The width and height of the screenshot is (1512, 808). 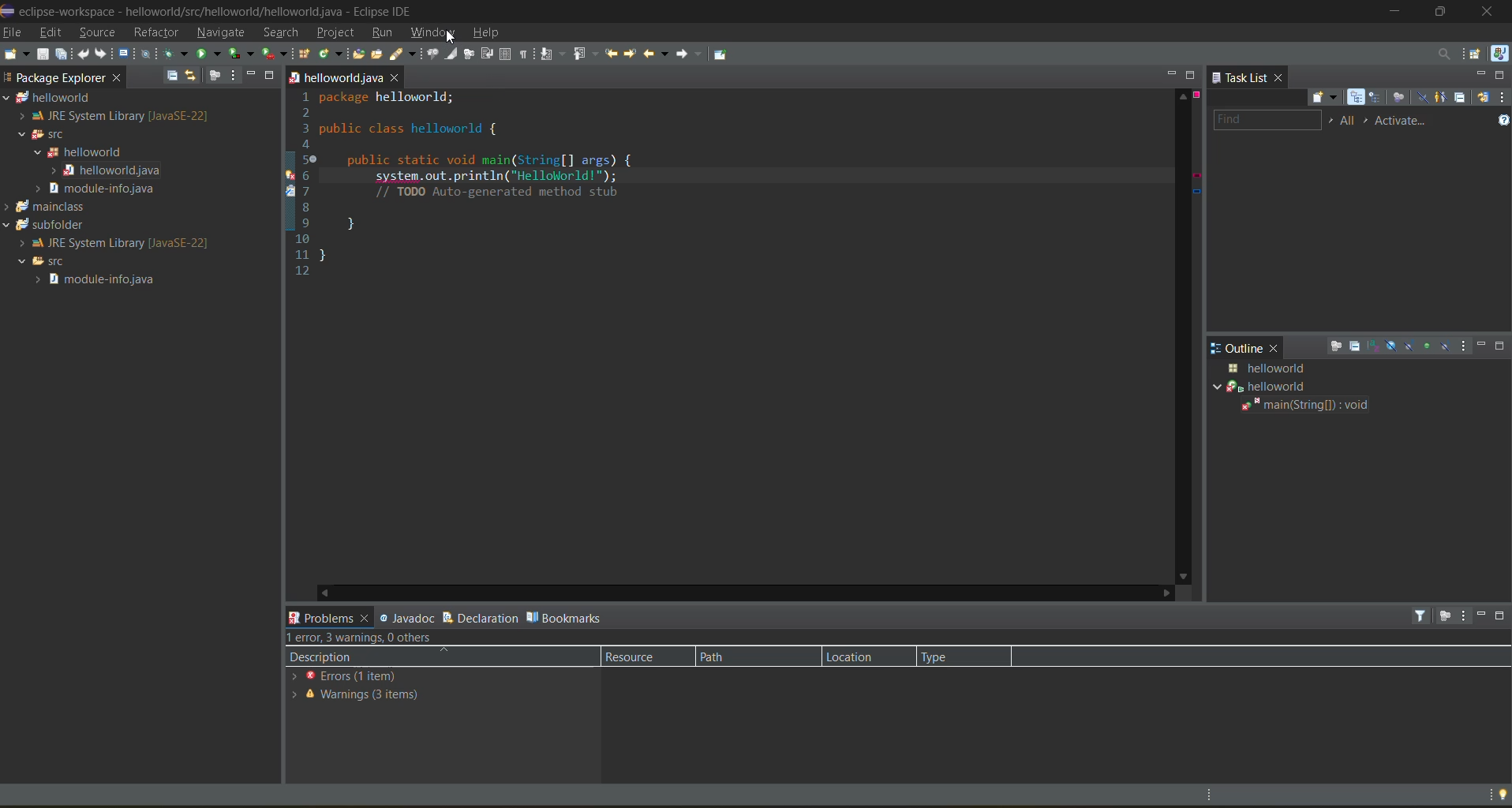 I want to click on collapse all, so click(x=1357, y=344).